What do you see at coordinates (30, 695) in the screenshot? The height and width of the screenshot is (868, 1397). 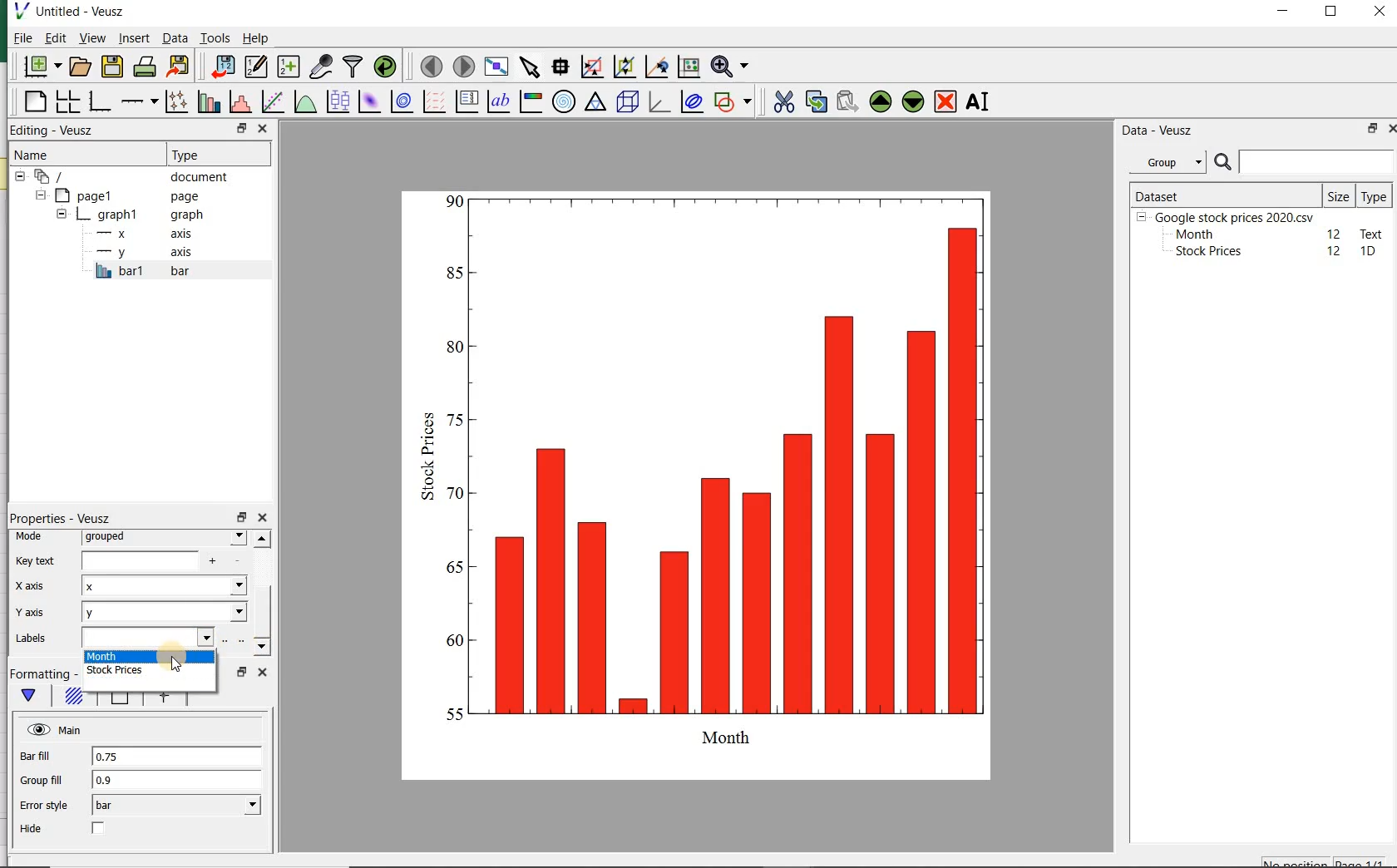 I see `main formatting` at bounding box center [30, 695].